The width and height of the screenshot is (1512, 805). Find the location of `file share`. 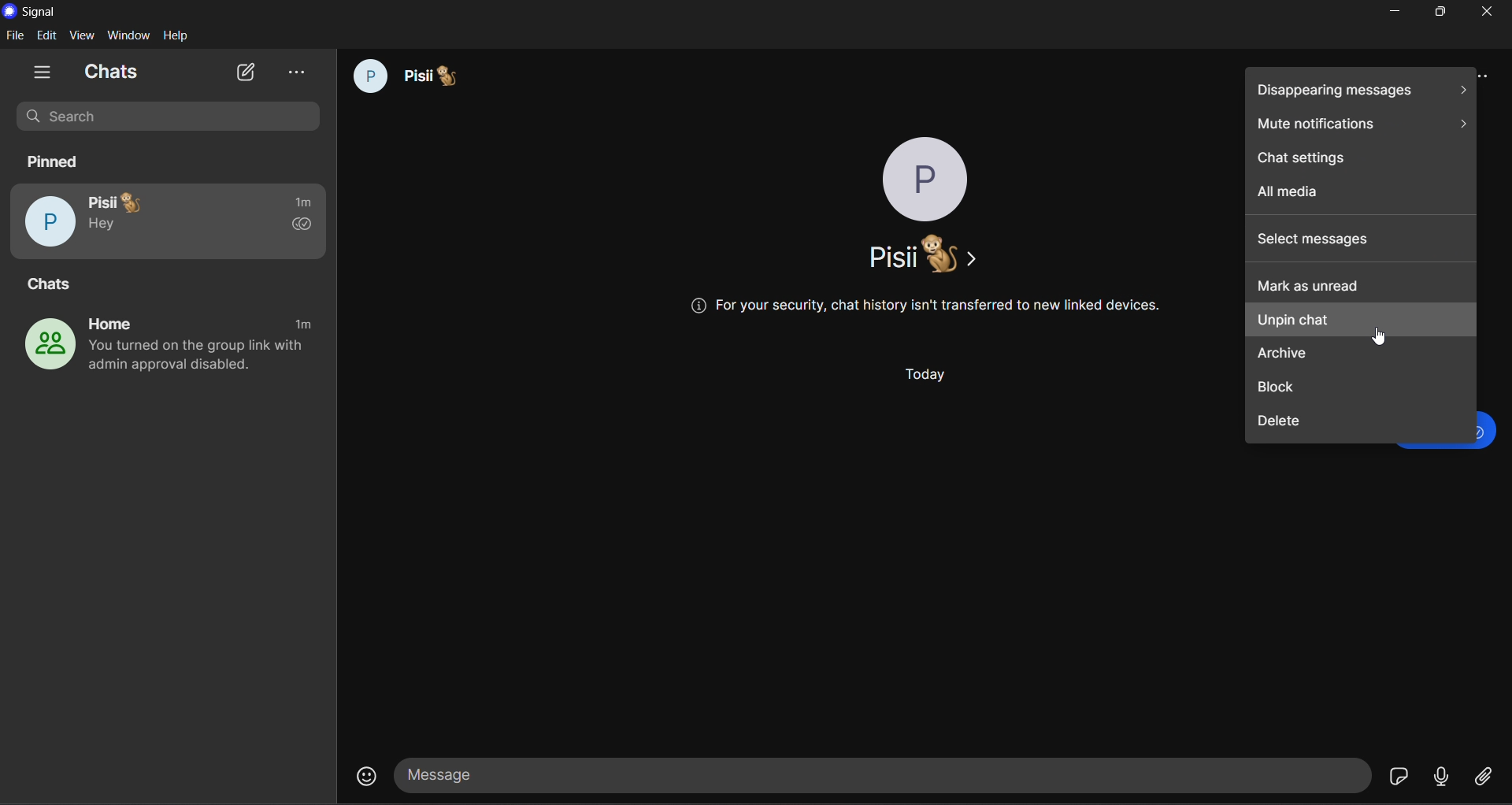

file share is located at coordinates (1484, 775).